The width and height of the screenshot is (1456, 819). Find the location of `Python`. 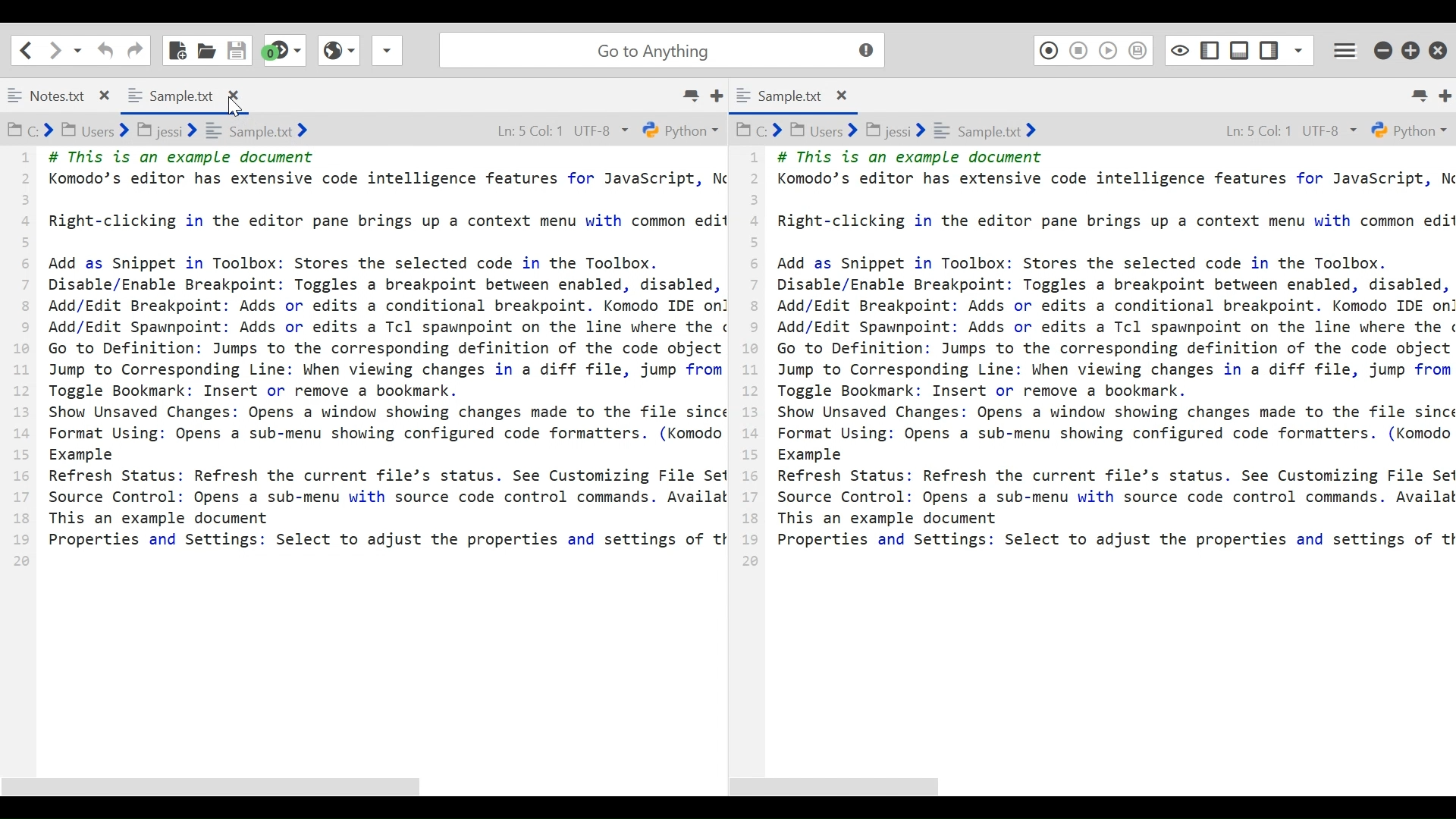

Python is located at coordinates (683, 129).